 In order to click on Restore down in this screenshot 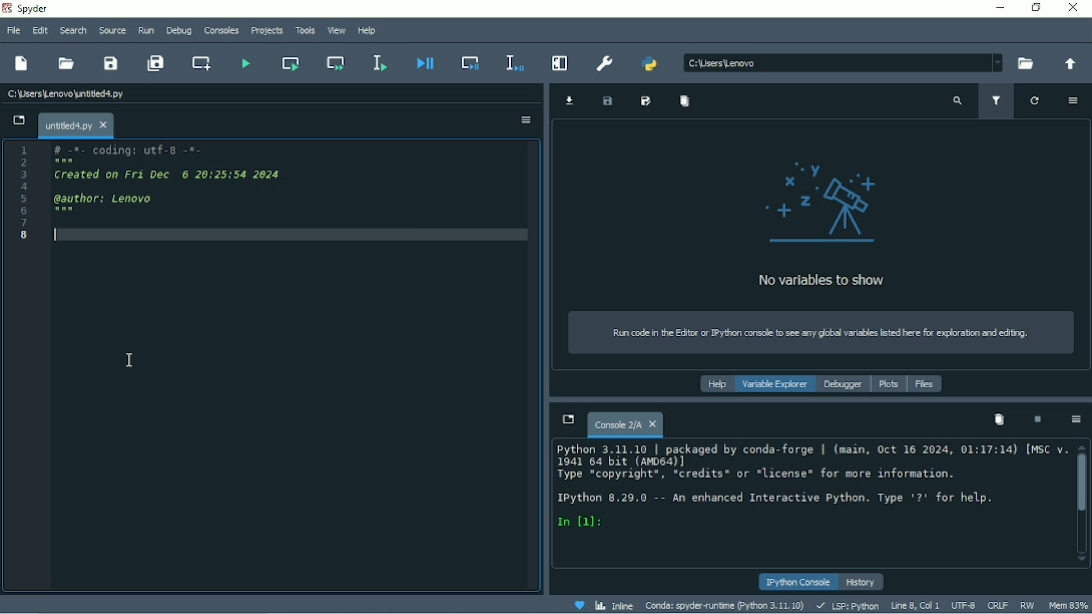, I will do `click(1037, 9)`.